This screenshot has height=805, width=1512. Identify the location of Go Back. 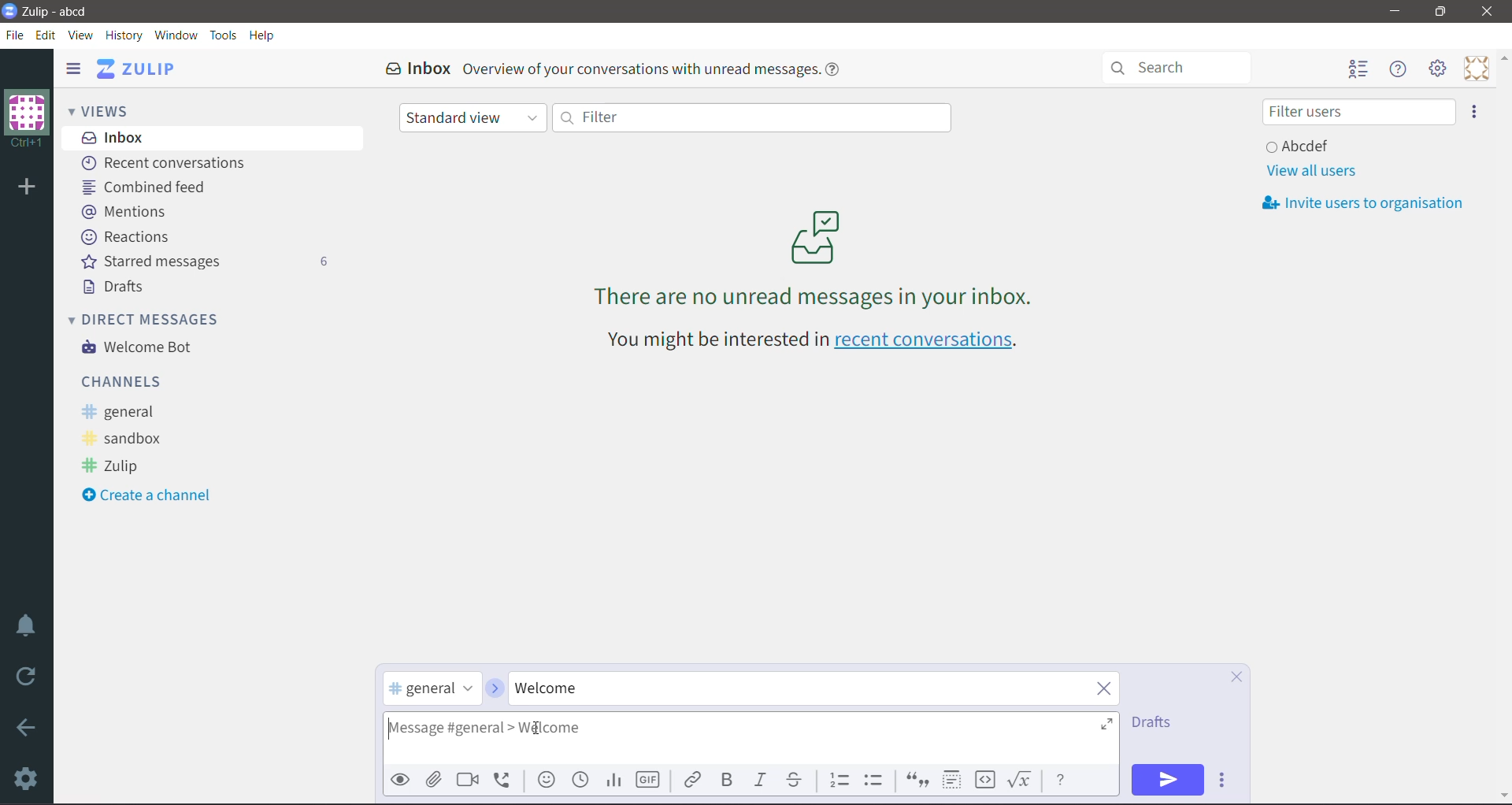
(27, 727).